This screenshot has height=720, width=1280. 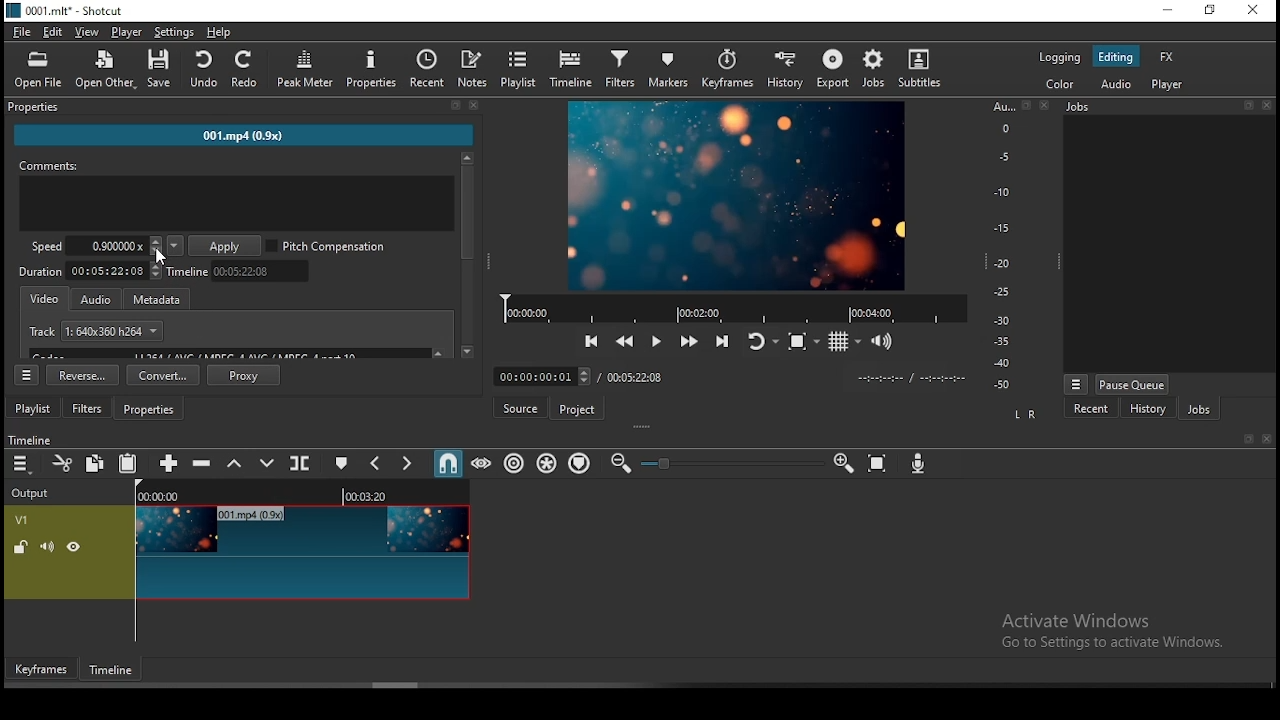 What do you see at coordinates (220, 32) in the screenshot?
I see `help` at bounding box center [220, 32].